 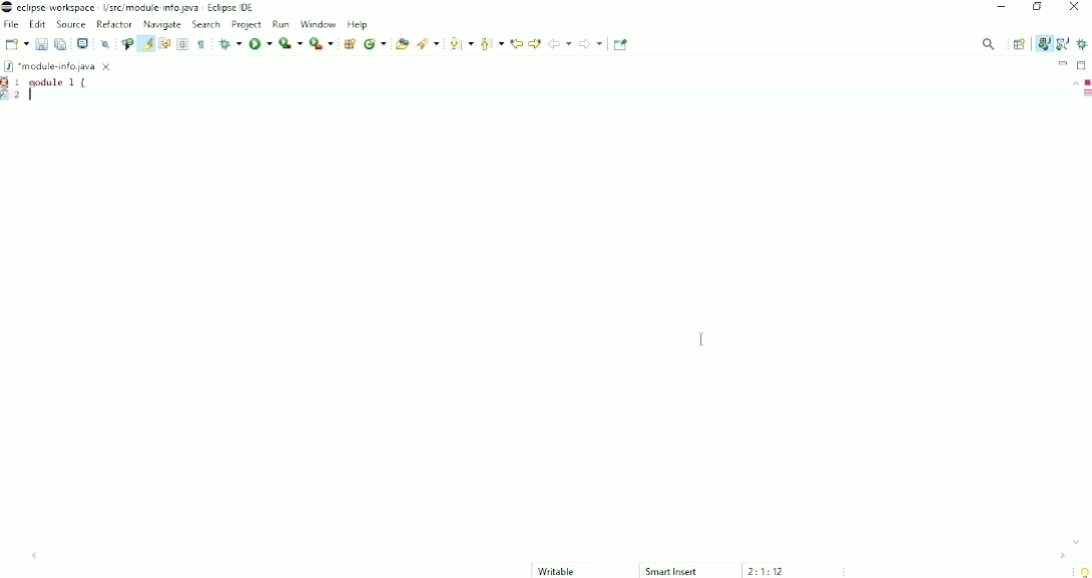 I want to click on eclipse workspace /src/module.info.java Eclipse IDE, so click(x=131, y=7).